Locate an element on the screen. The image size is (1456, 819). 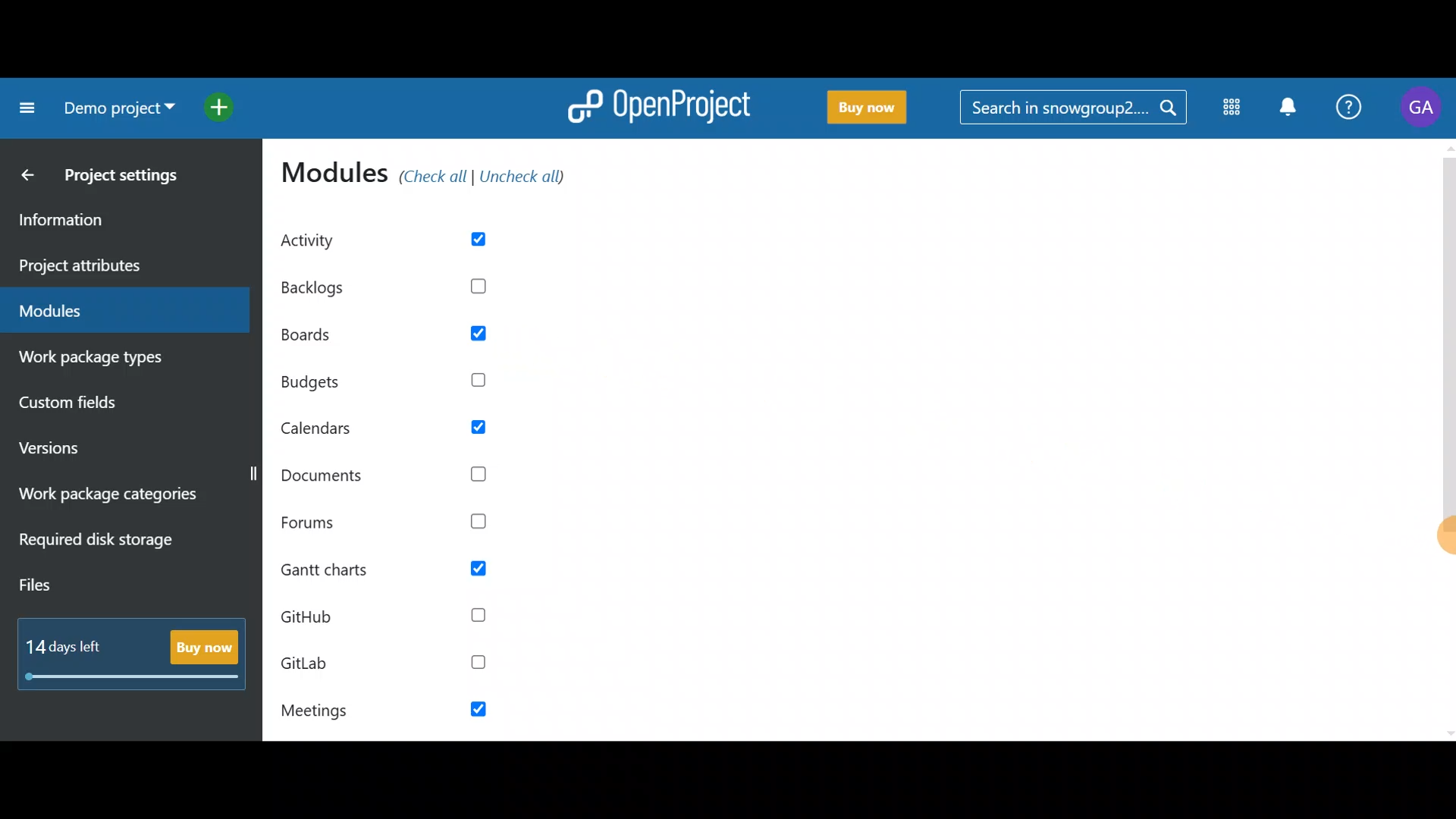
Notification centre is located at coordinates (1291, 111).